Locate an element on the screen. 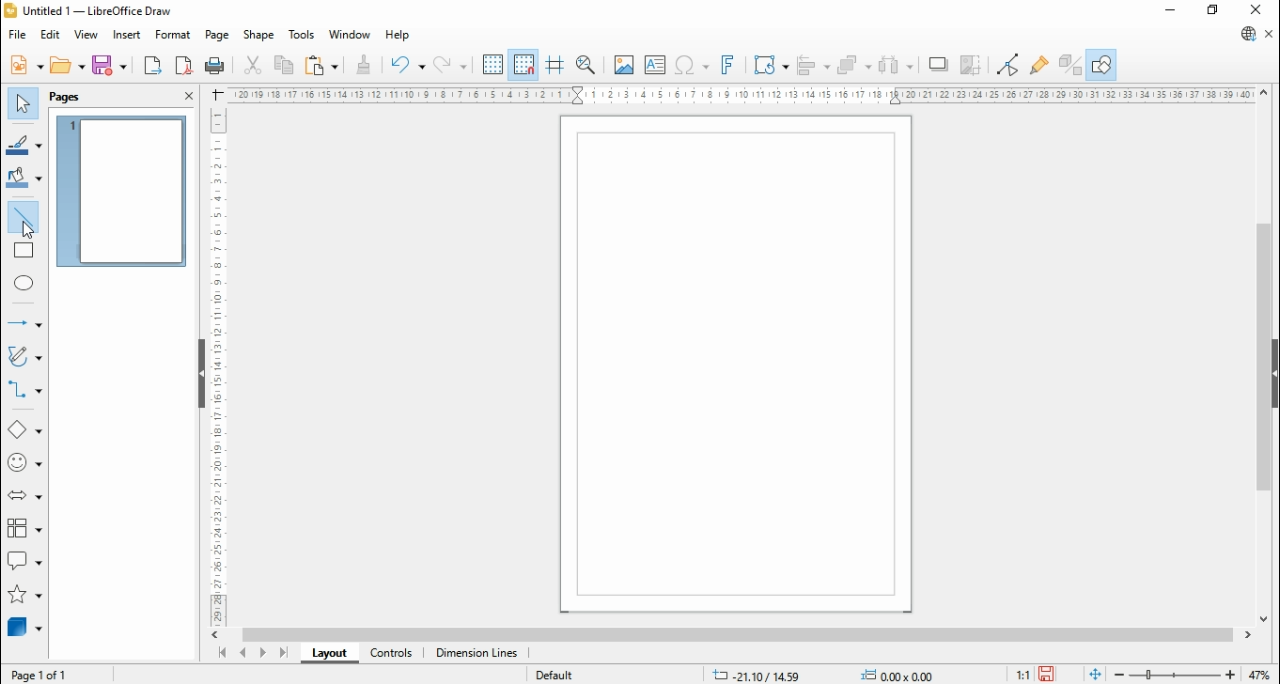 Image resolution: width=1280 pixels, height=684 pixels. helplines while moving is located at coordinates (554, 63).